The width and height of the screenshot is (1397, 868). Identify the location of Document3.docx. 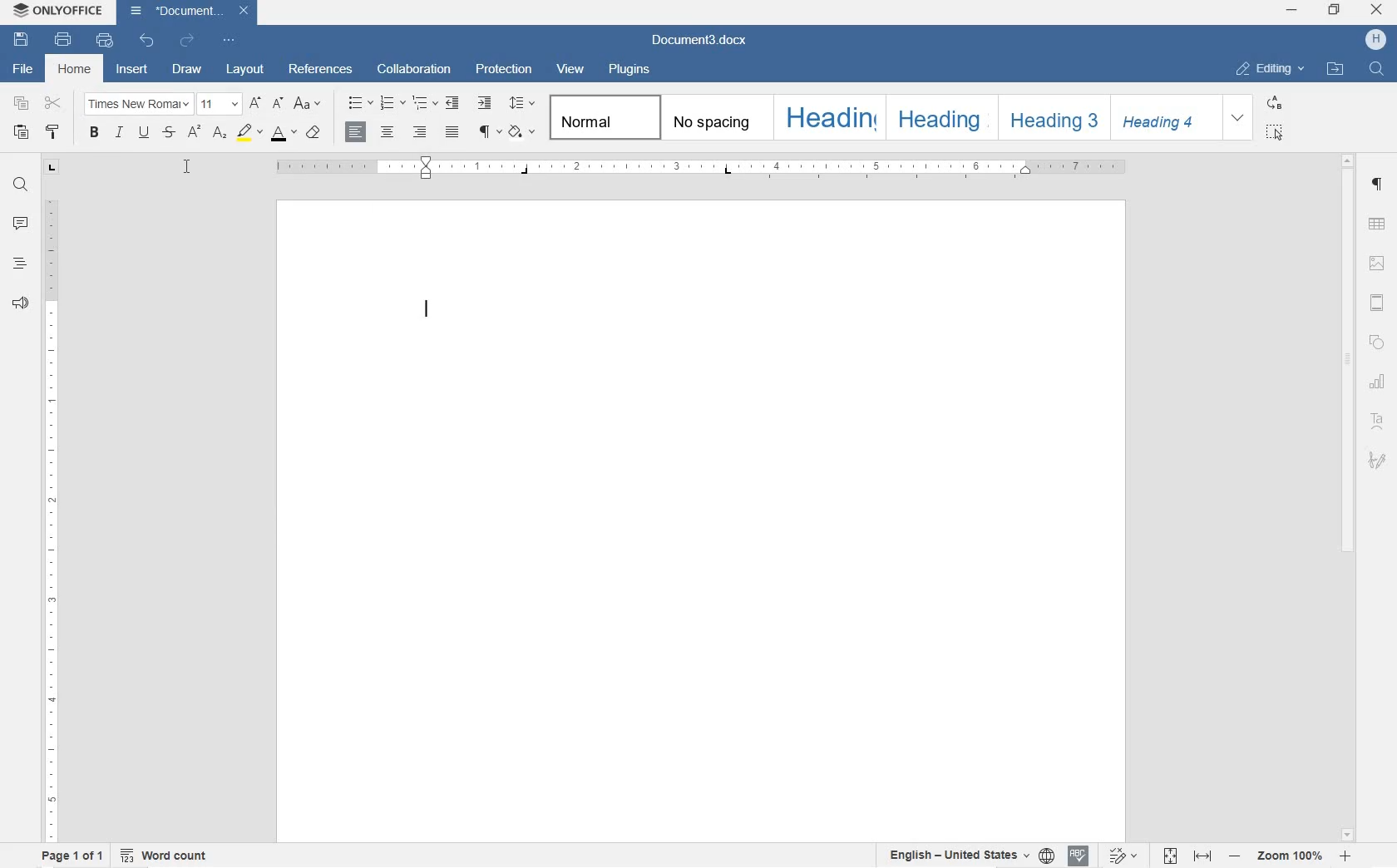
(711, 41).